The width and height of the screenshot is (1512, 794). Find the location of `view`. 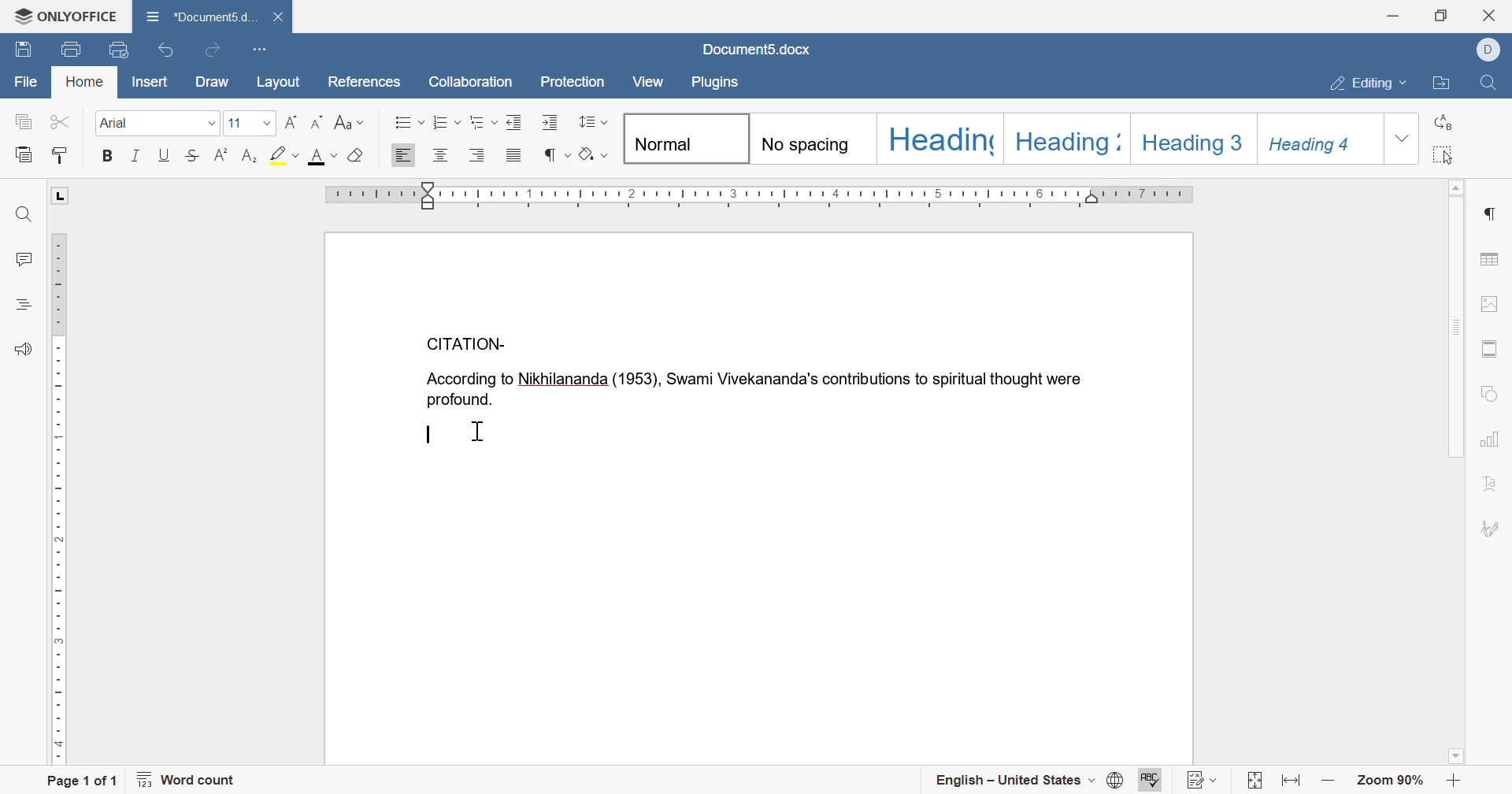

view is located at coordinates (646, 80).